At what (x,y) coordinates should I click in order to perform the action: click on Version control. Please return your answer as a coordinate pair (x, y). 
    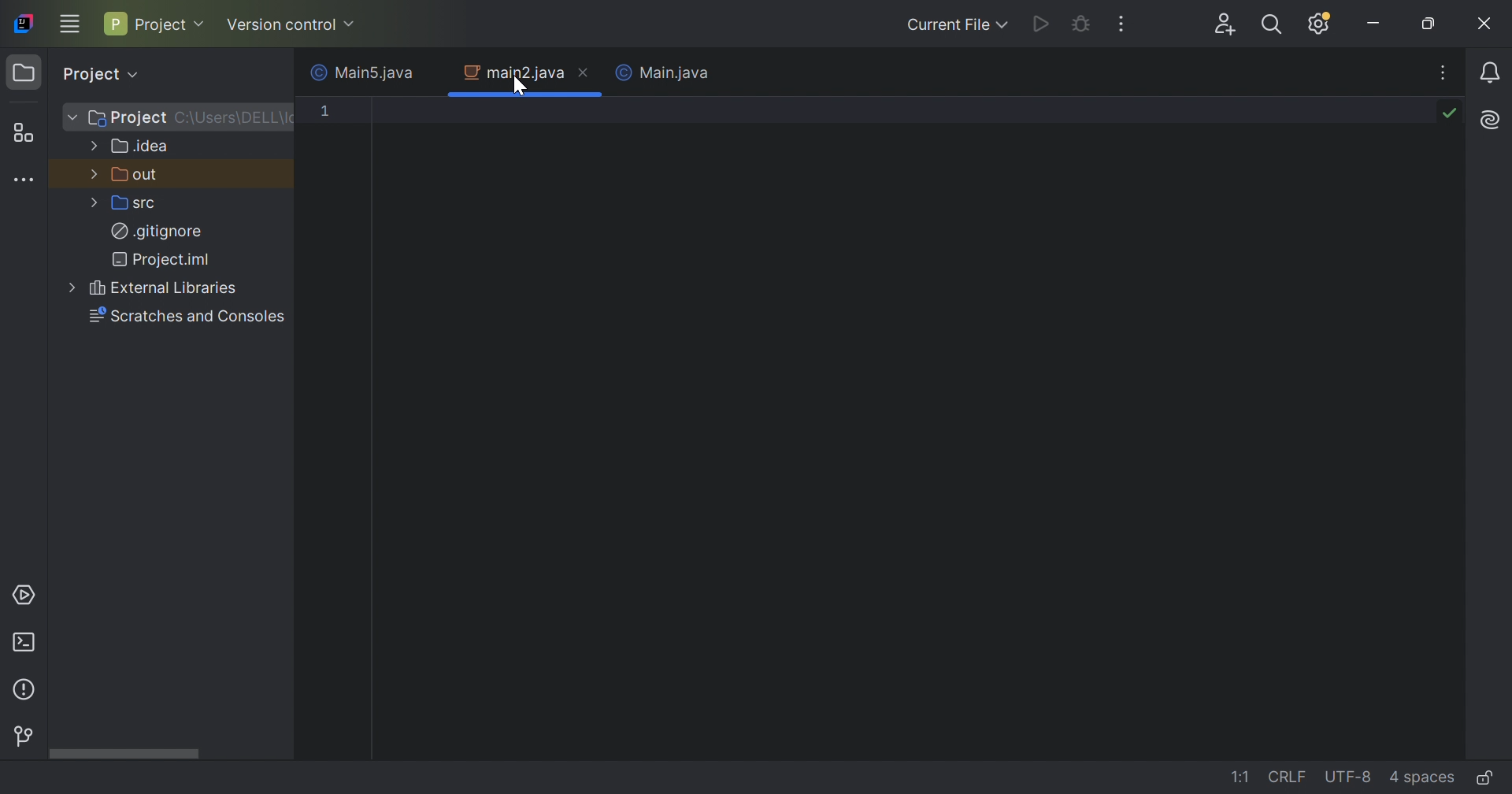
    Looking at the image, I should click on (24, 736).